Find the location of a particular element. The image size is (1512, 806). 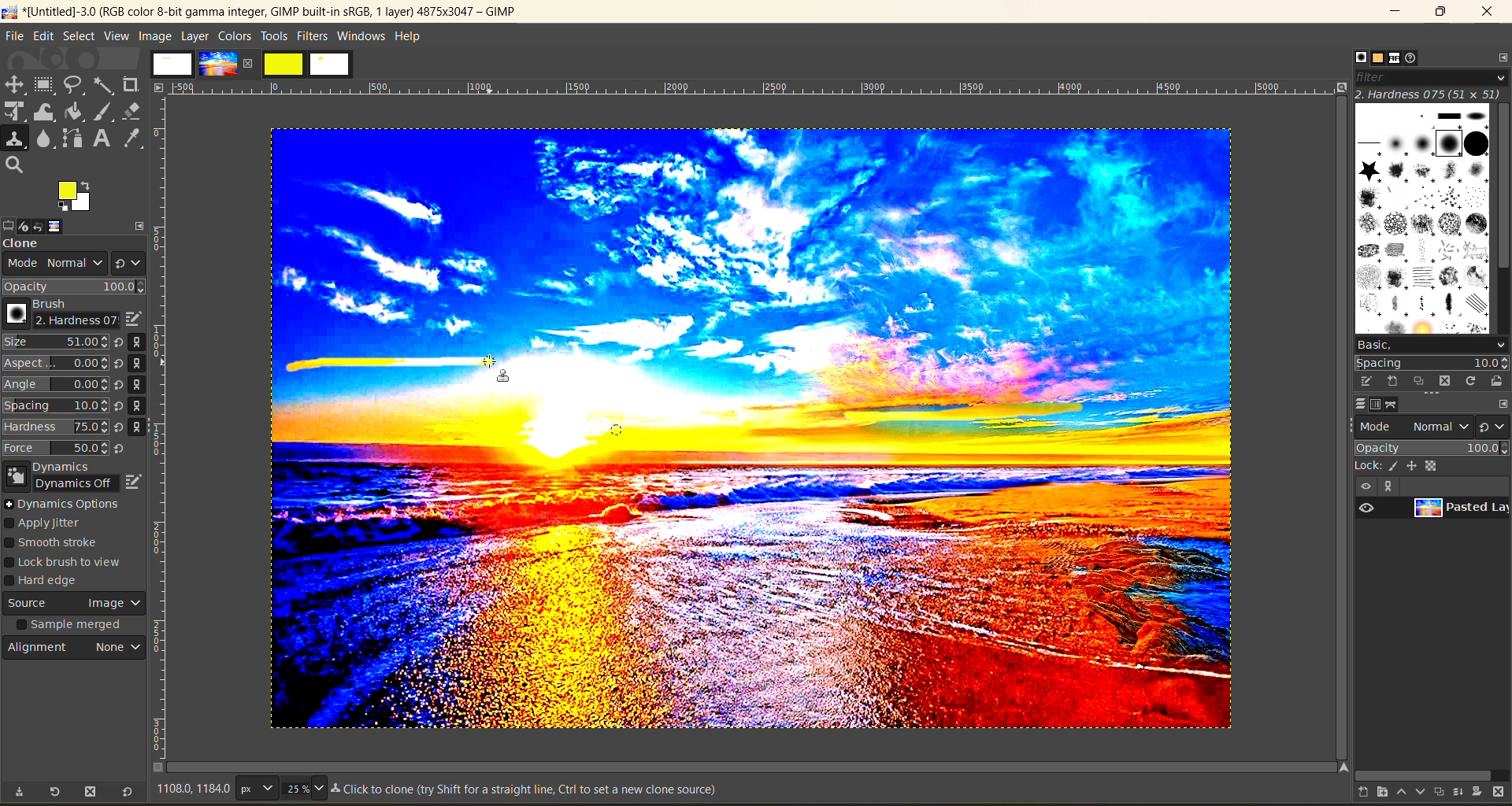

clone is located at coordinates (35, 245).